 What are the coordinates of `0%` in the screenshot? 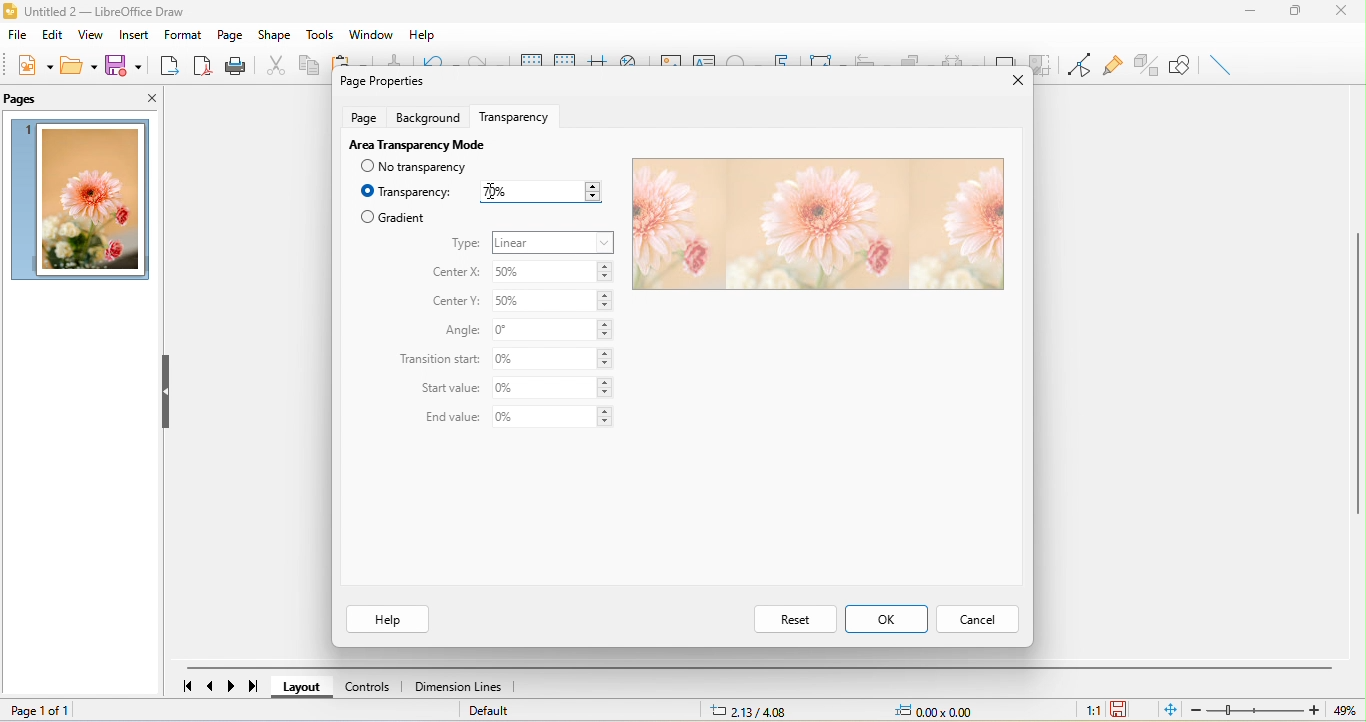 It's located at (553, 388).